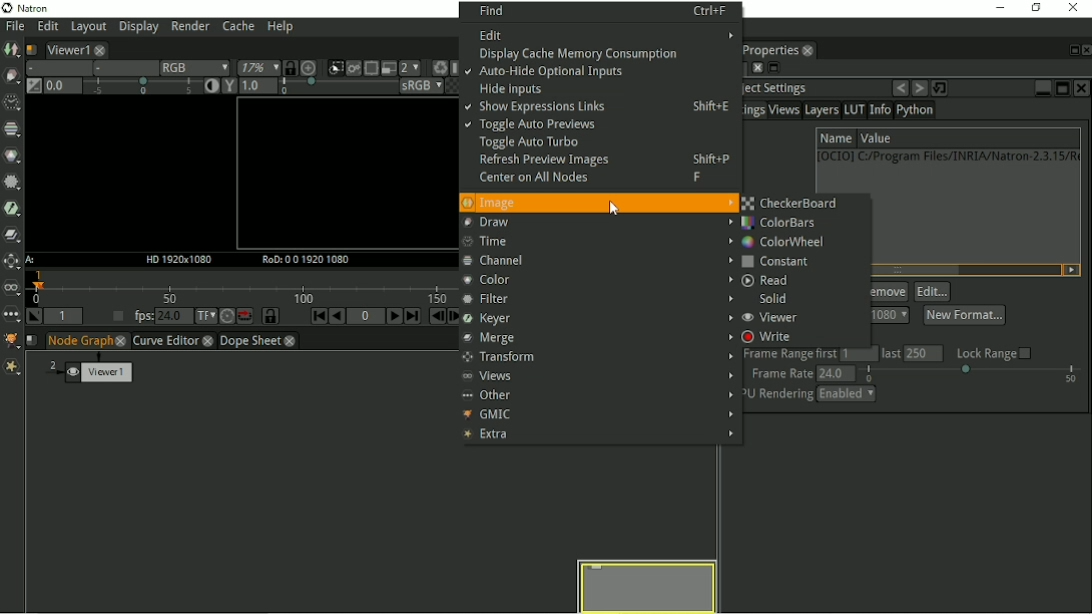 This screenshot has width=1092, height=614. What do you see at coordinates (121, 69) in the screenshot?
I see `Alpha channel` at bounding box center [121, 69].